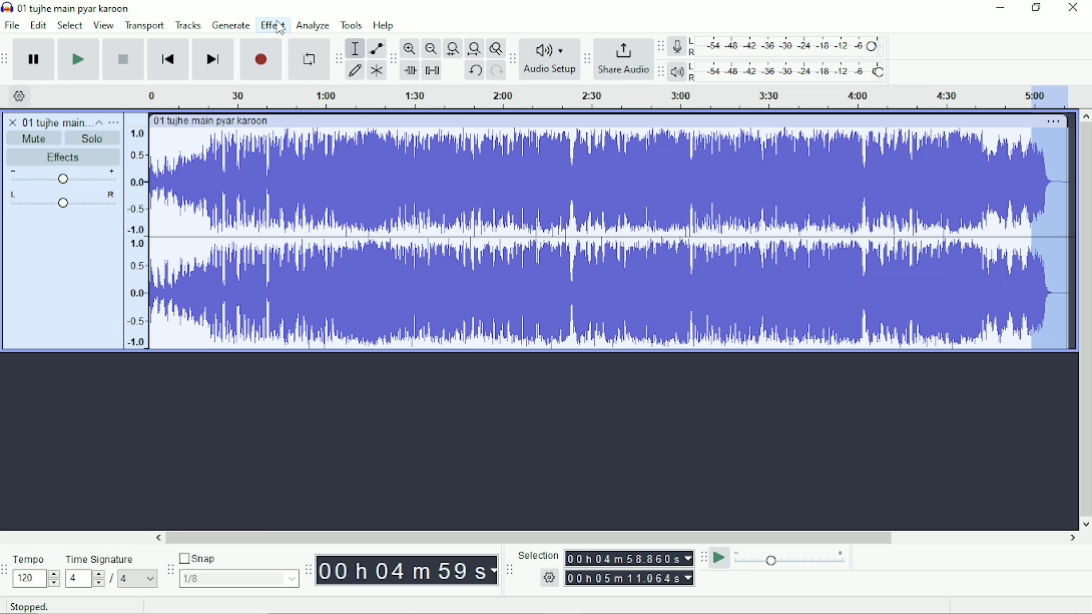 This screenshot has height=614, width=1092. I want to click on 00h00m00.000s, so click(630, 559).